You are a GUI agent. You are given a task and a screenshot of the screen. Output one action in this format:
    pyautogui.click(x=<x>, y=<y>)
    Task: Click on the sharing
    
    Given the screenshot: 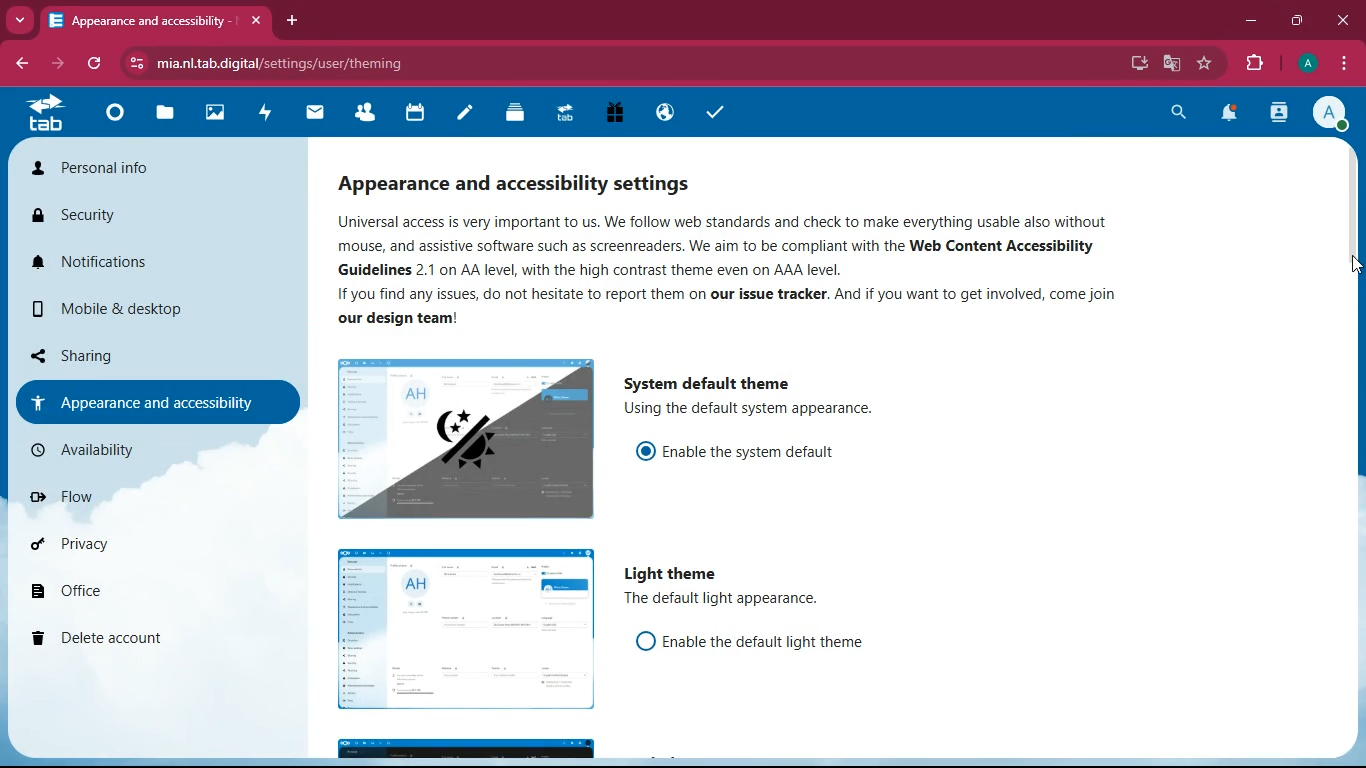 What is the action you would take?
    pyautogui.click(x=122, y=355)
    